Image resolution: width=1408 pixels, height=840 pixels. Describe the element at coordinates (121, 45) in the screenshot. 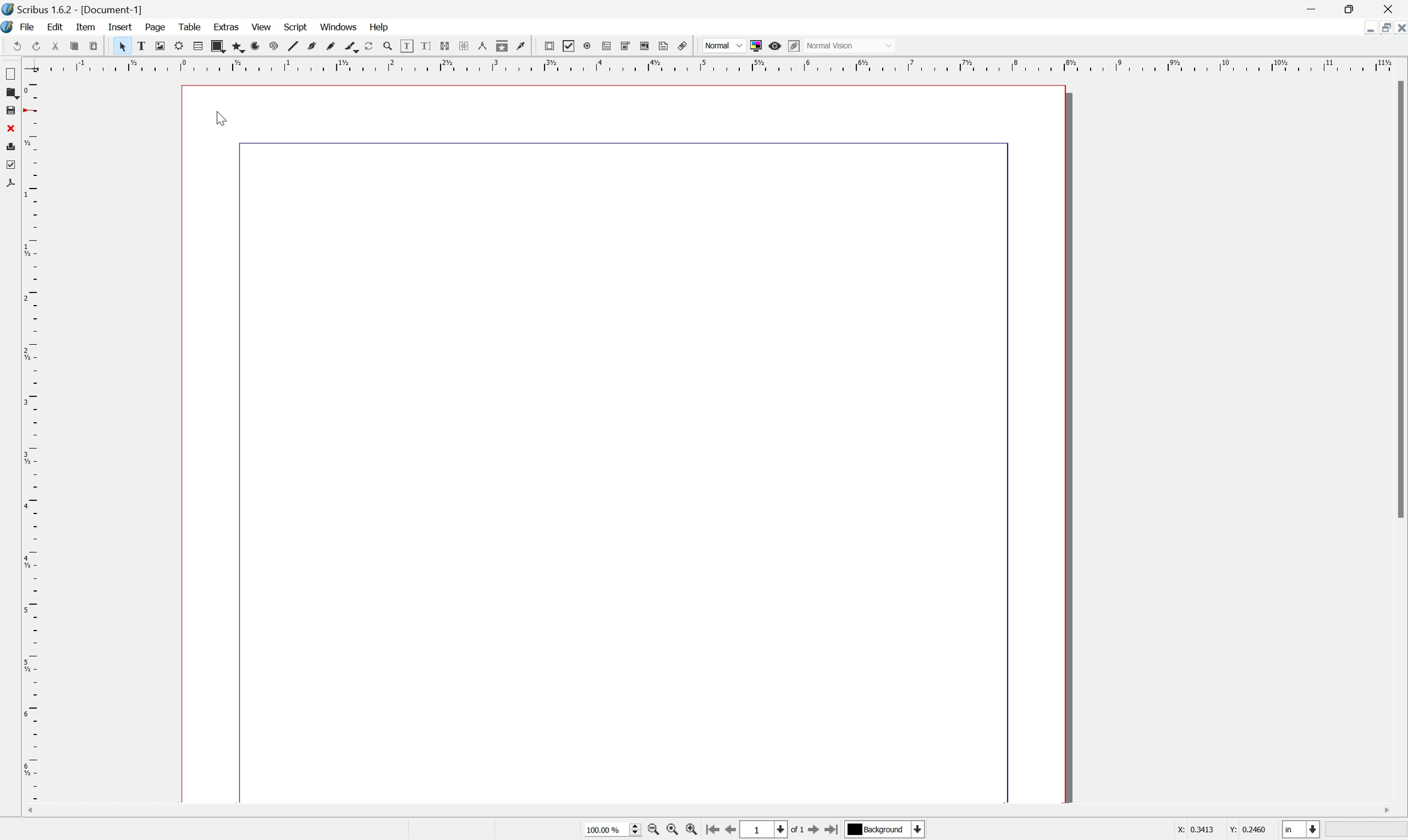

I see `preflight verifier` at that location.